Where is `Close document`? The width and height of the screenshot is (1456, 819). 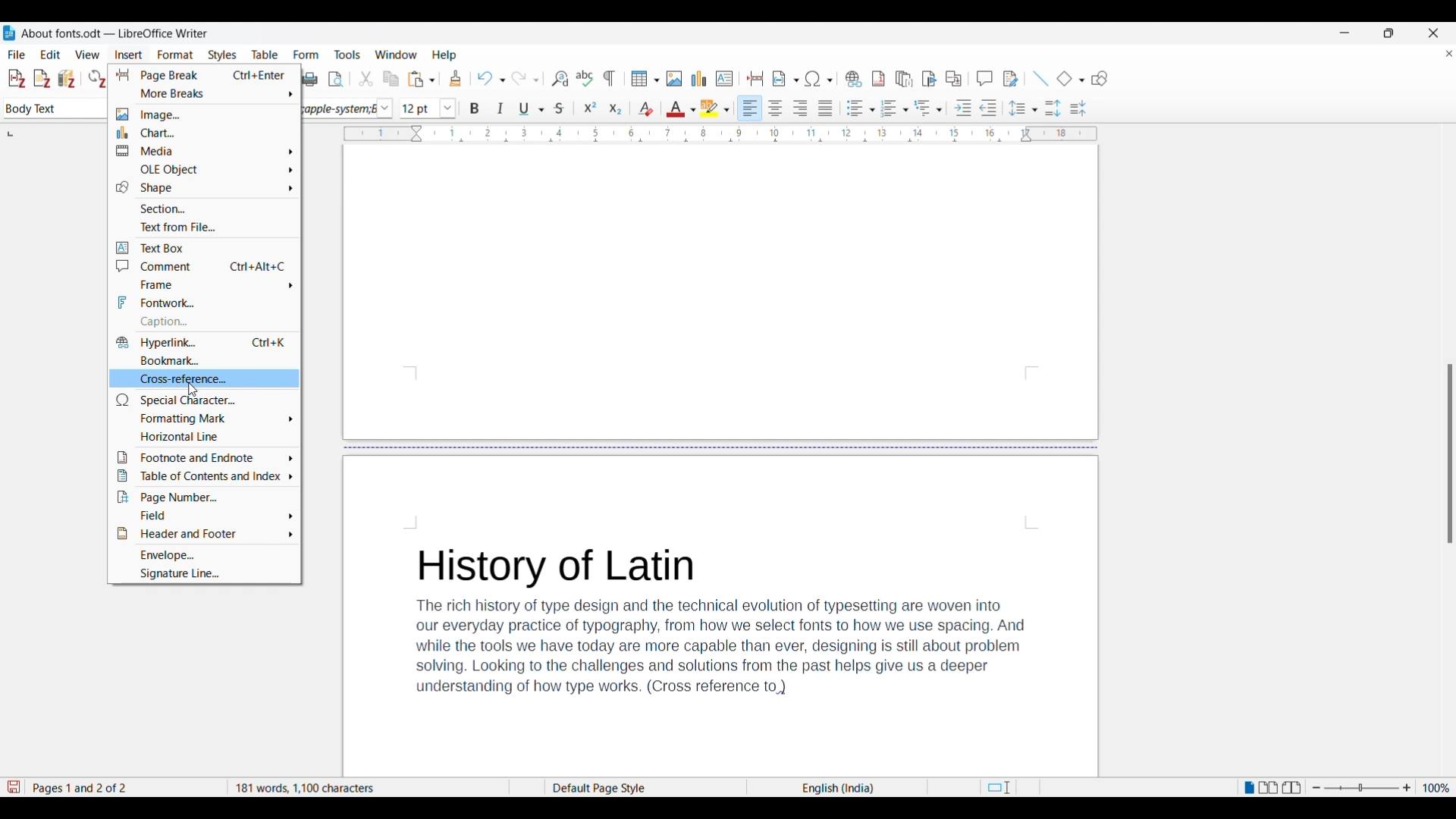
Close document is located at coordinates (1449, 56).